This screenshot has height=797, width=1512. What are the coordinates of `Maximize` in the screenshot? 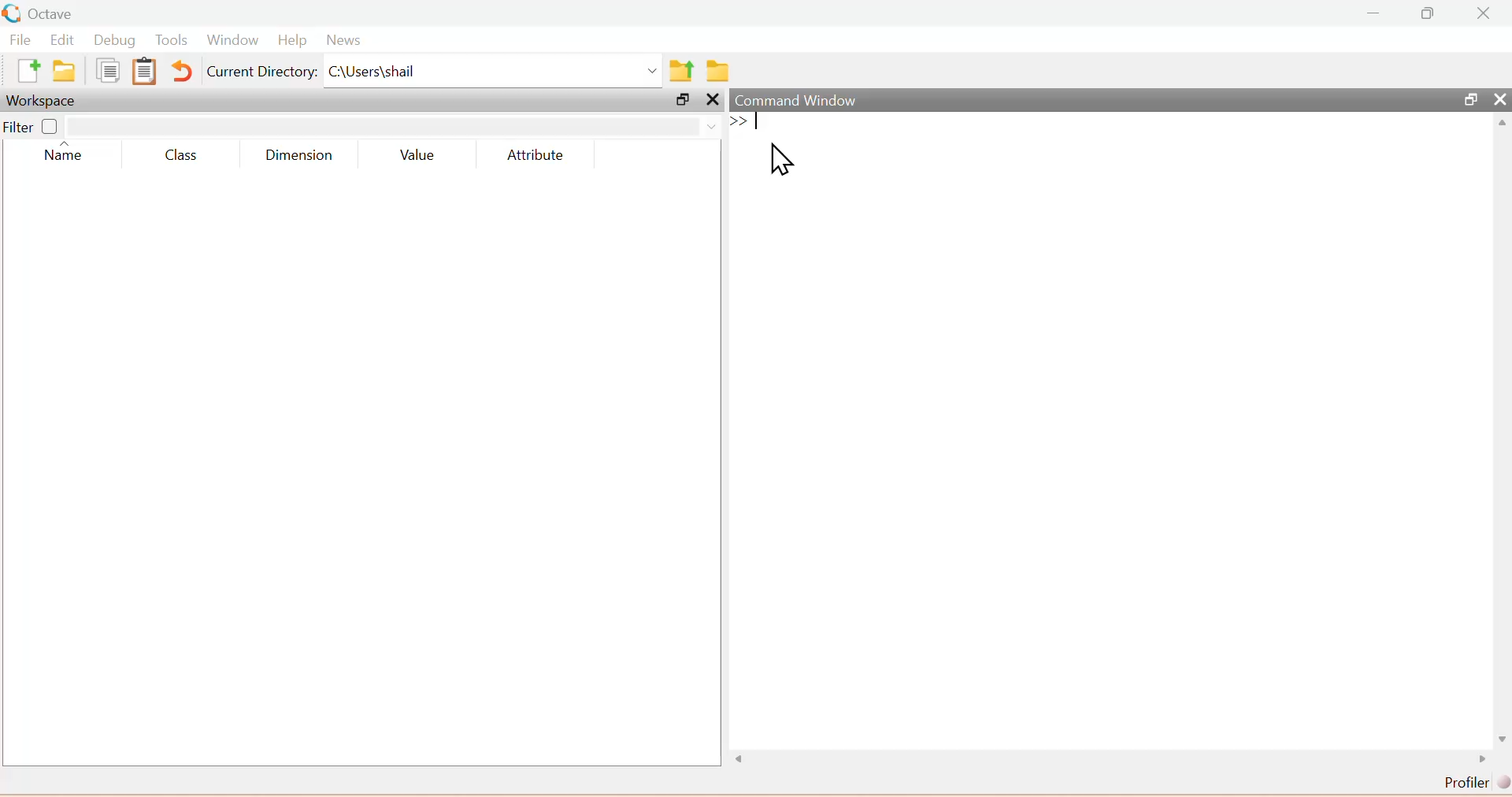 It's located at (1430, 13).